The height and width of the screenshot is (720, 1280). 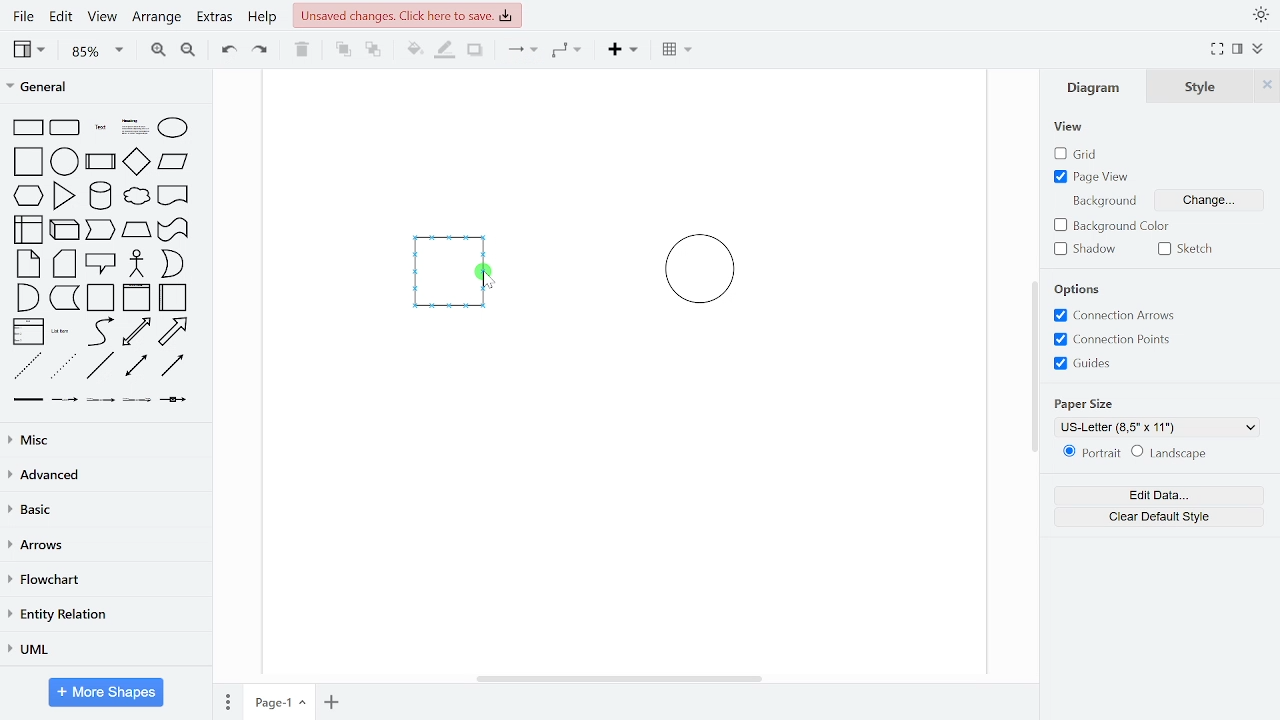 I want to click on connection points, so click(x=1112, y=339).